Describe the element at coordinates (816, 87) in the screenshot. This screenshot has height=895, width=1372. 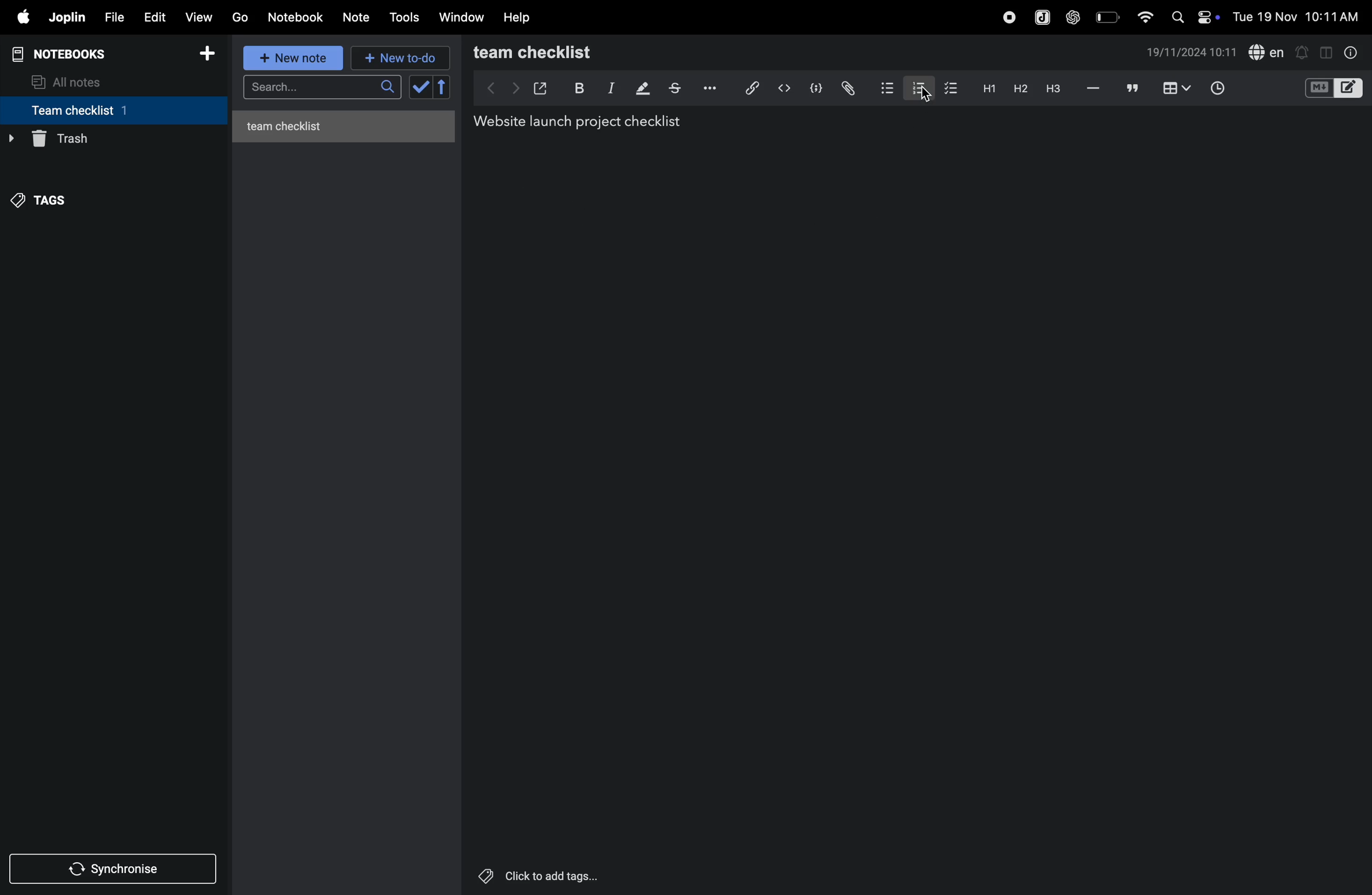
I see `code block` at that location.